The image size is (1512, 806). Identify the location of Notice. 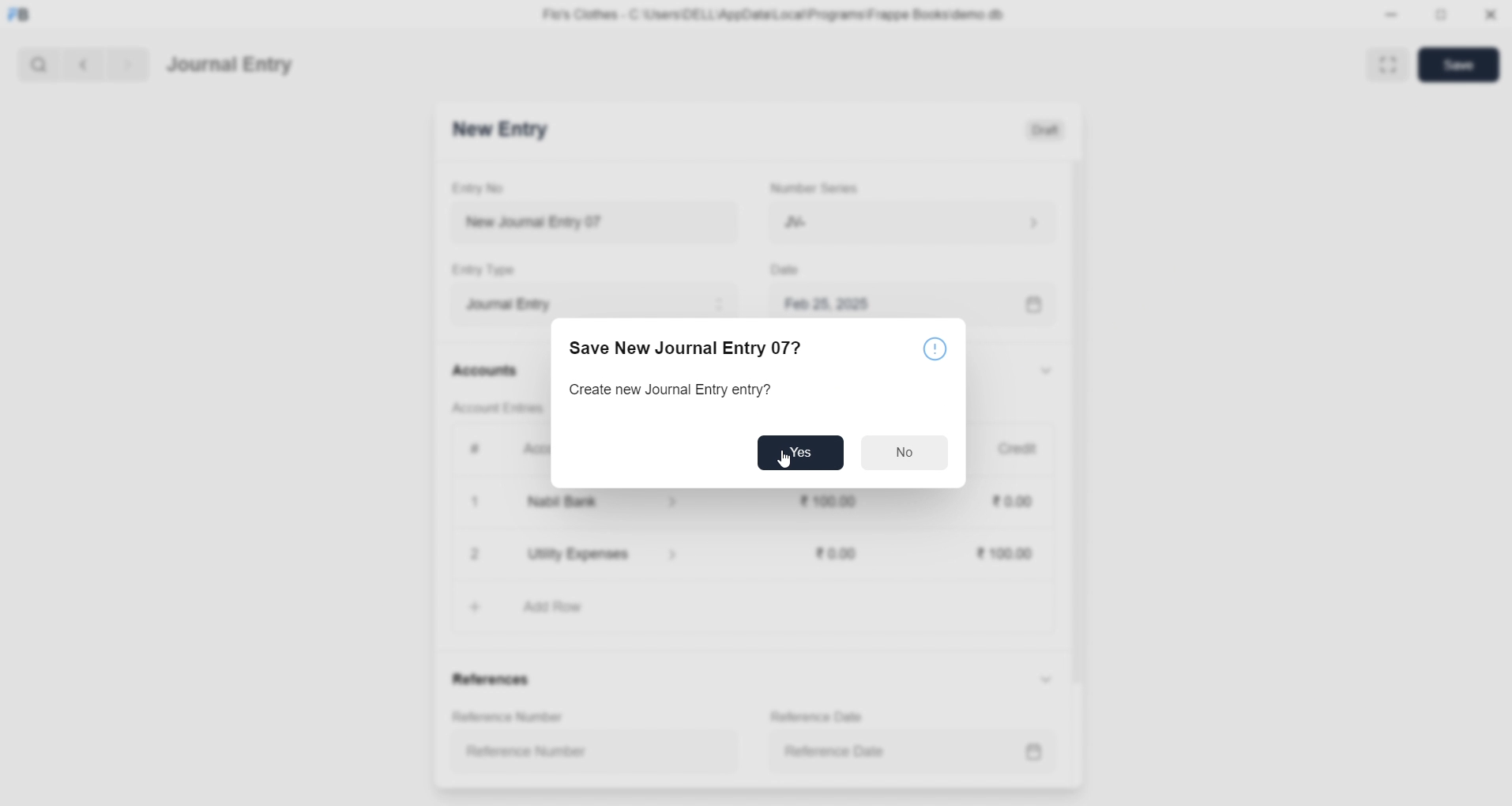
(935, 350).